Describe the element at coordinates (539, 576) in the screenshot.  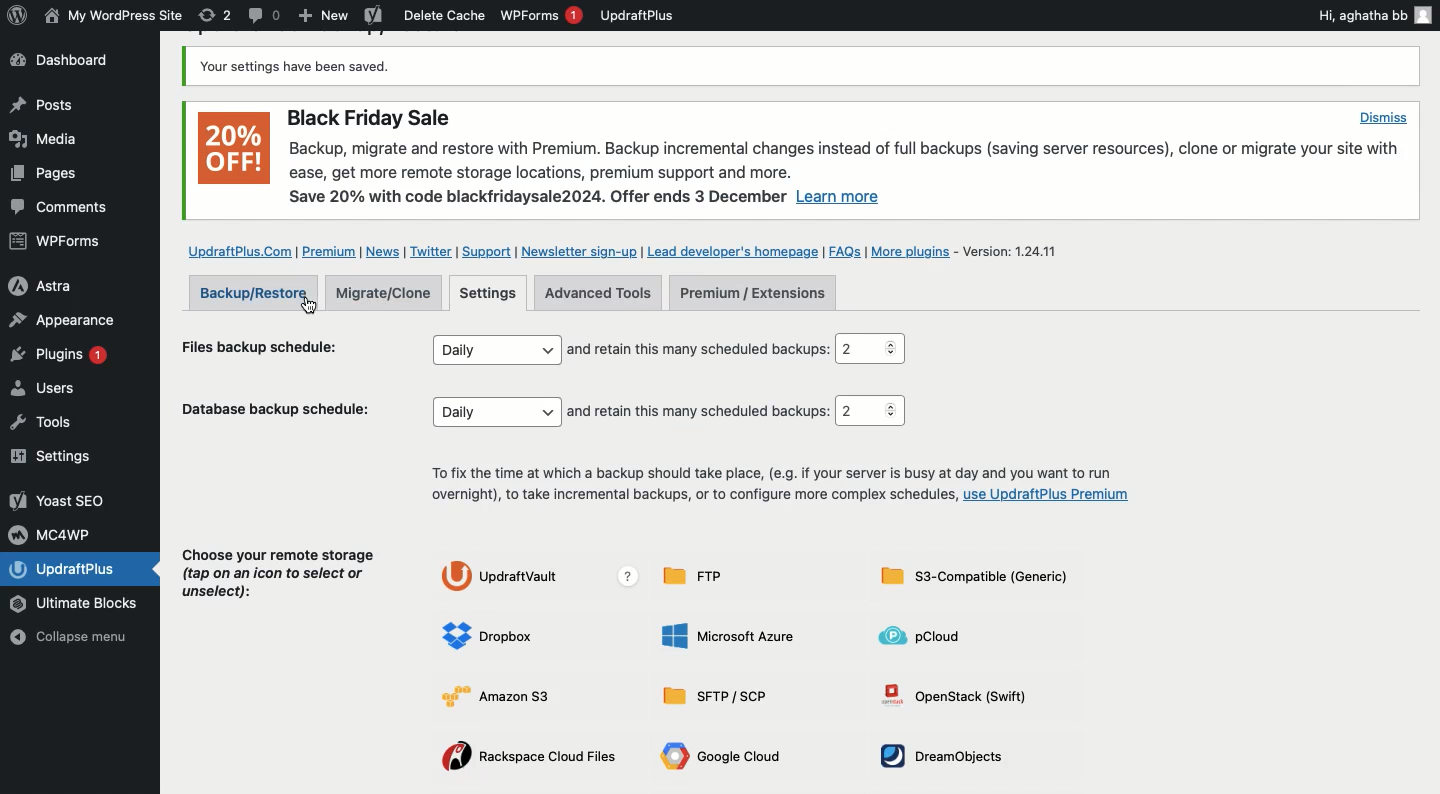
I see `UpdraftVault` at that location.